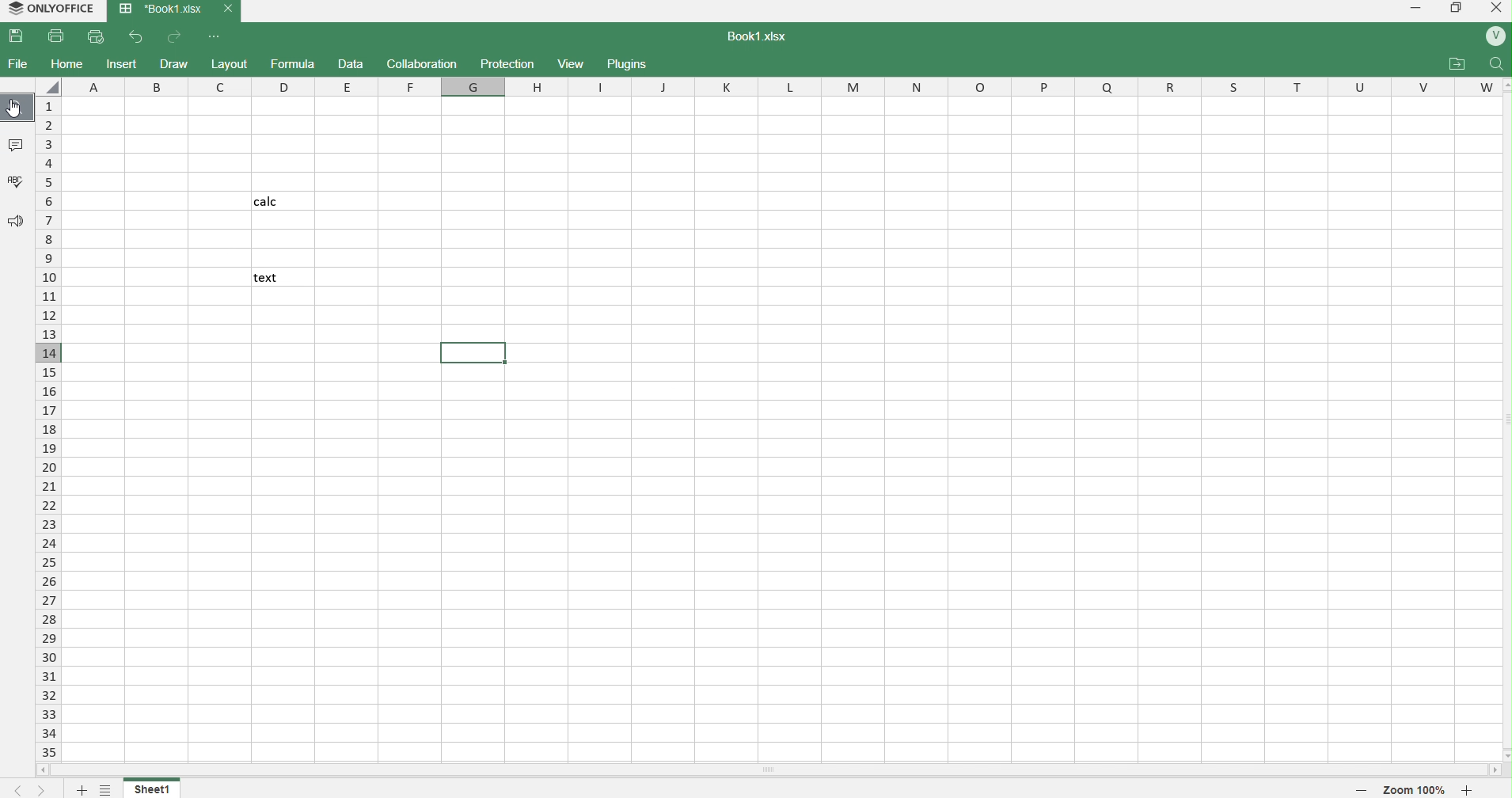 The image size is (1512, 798). What do you see at coordinates (1411, 789) in the screenshot?
I see ` zoom 100%` at bounding box center [1411, 789].